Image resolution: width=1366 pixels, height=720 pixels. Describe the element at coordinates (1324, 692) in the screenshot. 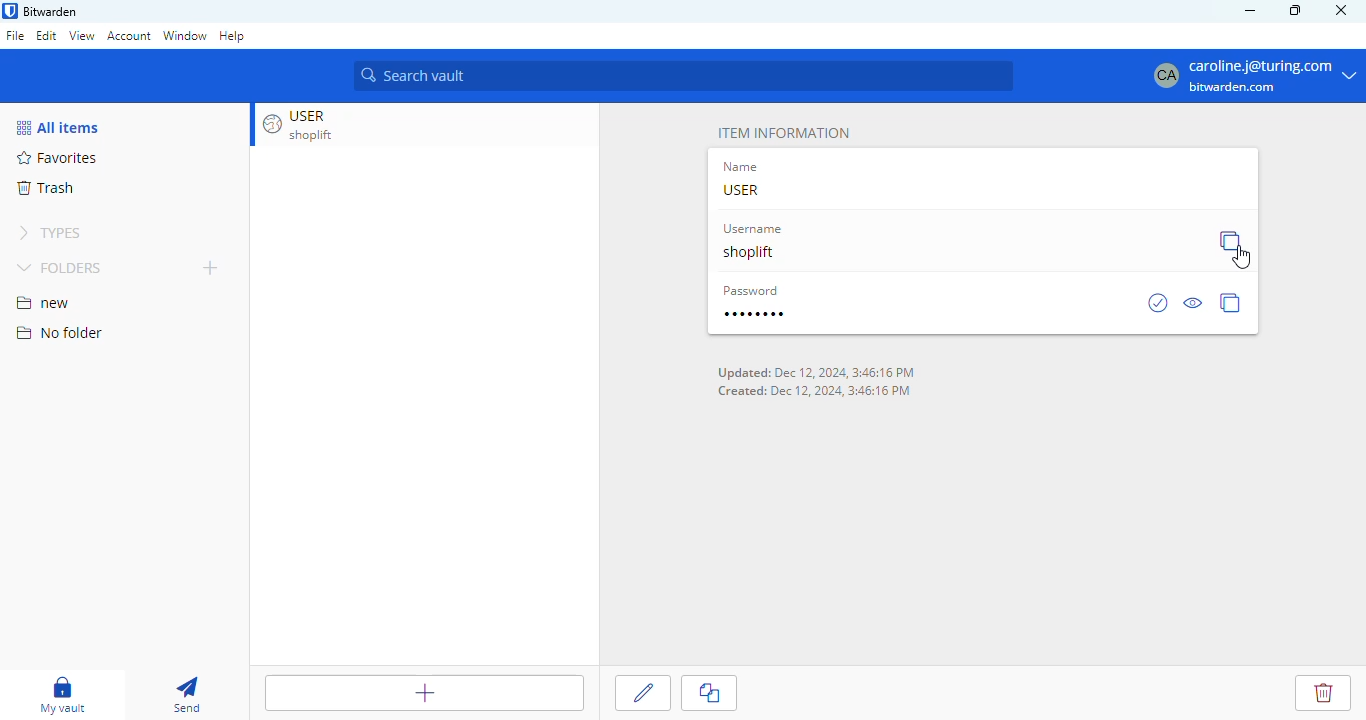

I see `delete` at that location.